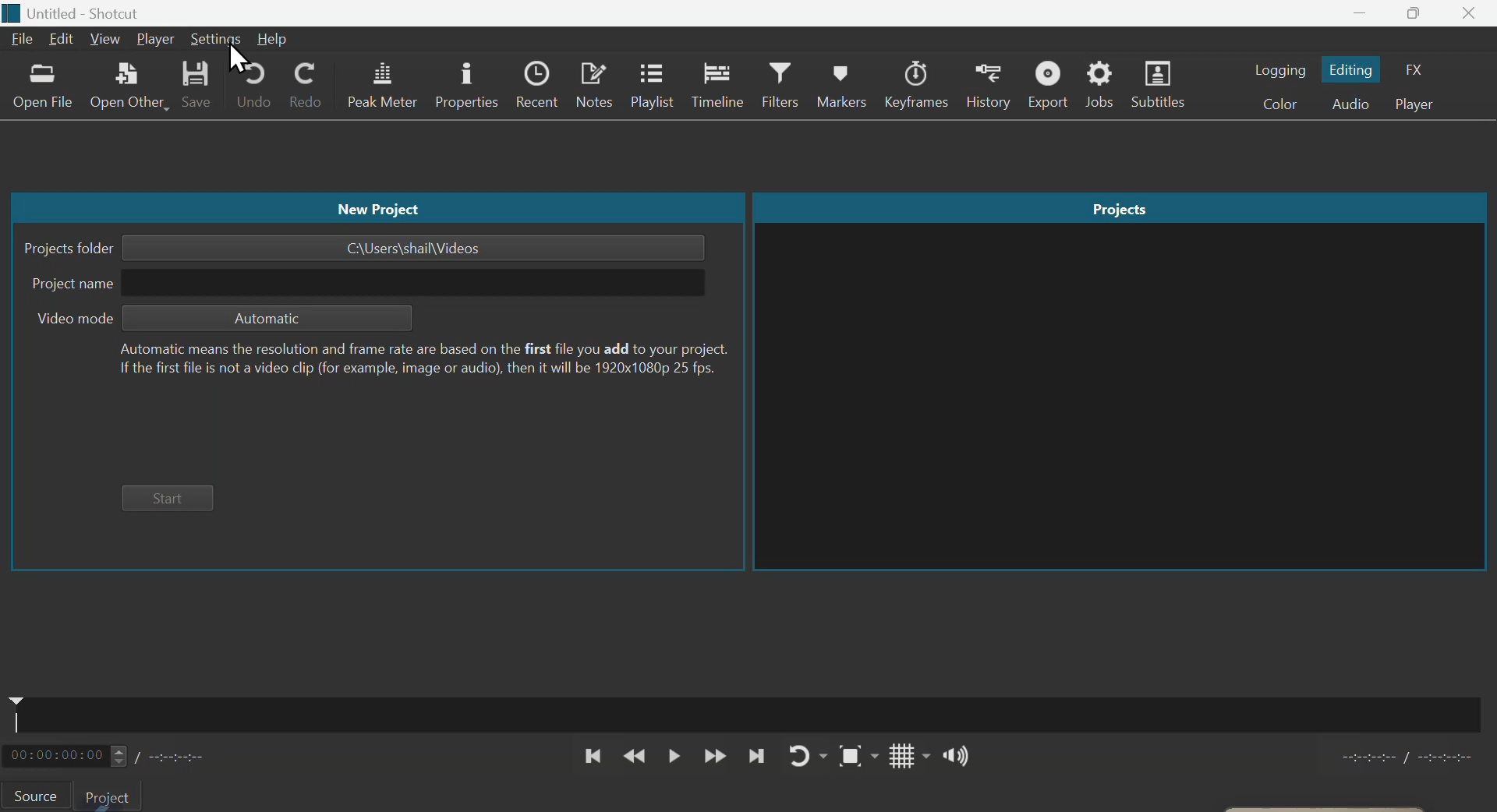 The height and width of the screenshot is (812, 1497). What do you see at coordinates (1355, 69) in the screenshot?
I see `Editing` at bounding box center [1355, 69].